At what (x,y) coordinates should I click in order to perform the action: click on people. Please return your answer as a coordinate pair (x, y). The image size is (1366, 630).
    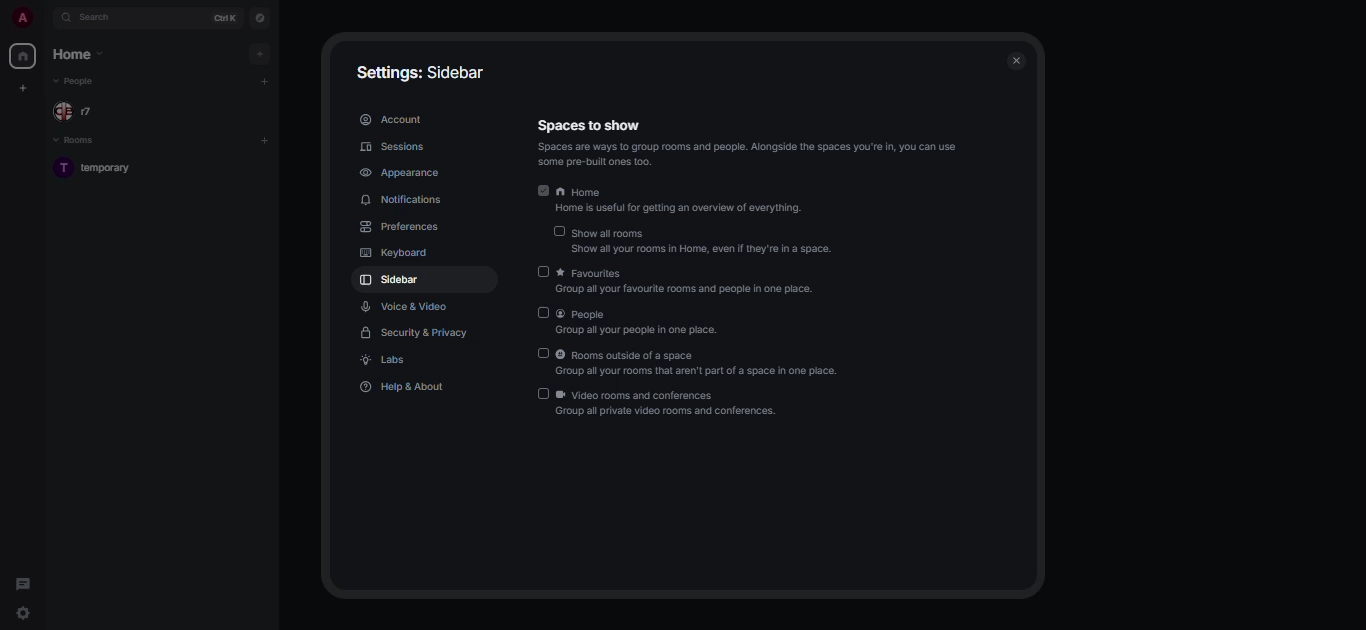
    Looking at the image, I should click on (639, 315).